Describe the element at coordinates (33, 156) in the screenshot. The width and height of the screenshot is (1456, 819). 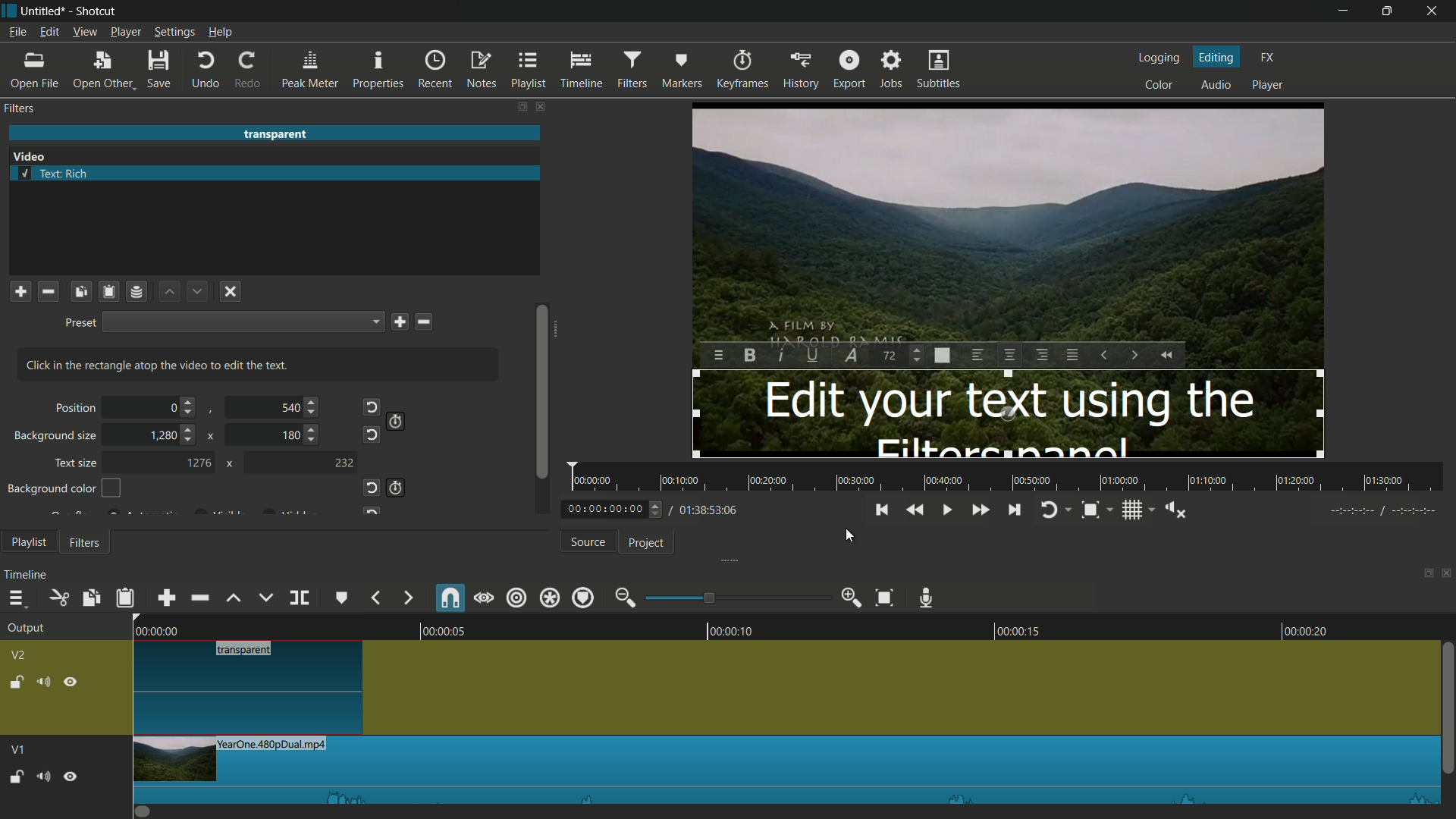
I see `Video` at that location.